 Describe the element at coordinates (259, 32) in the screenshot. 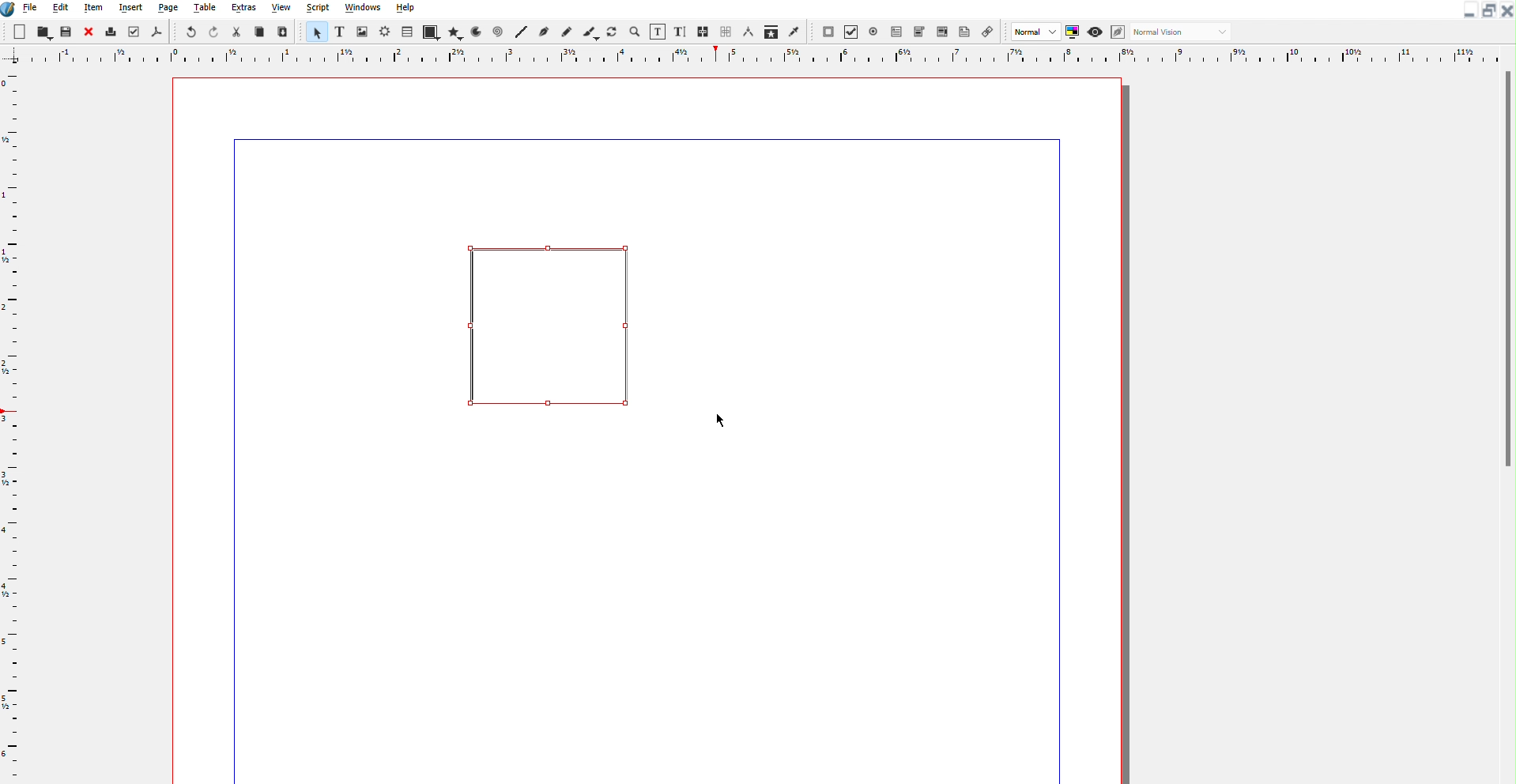

I see `Copy` at that location.